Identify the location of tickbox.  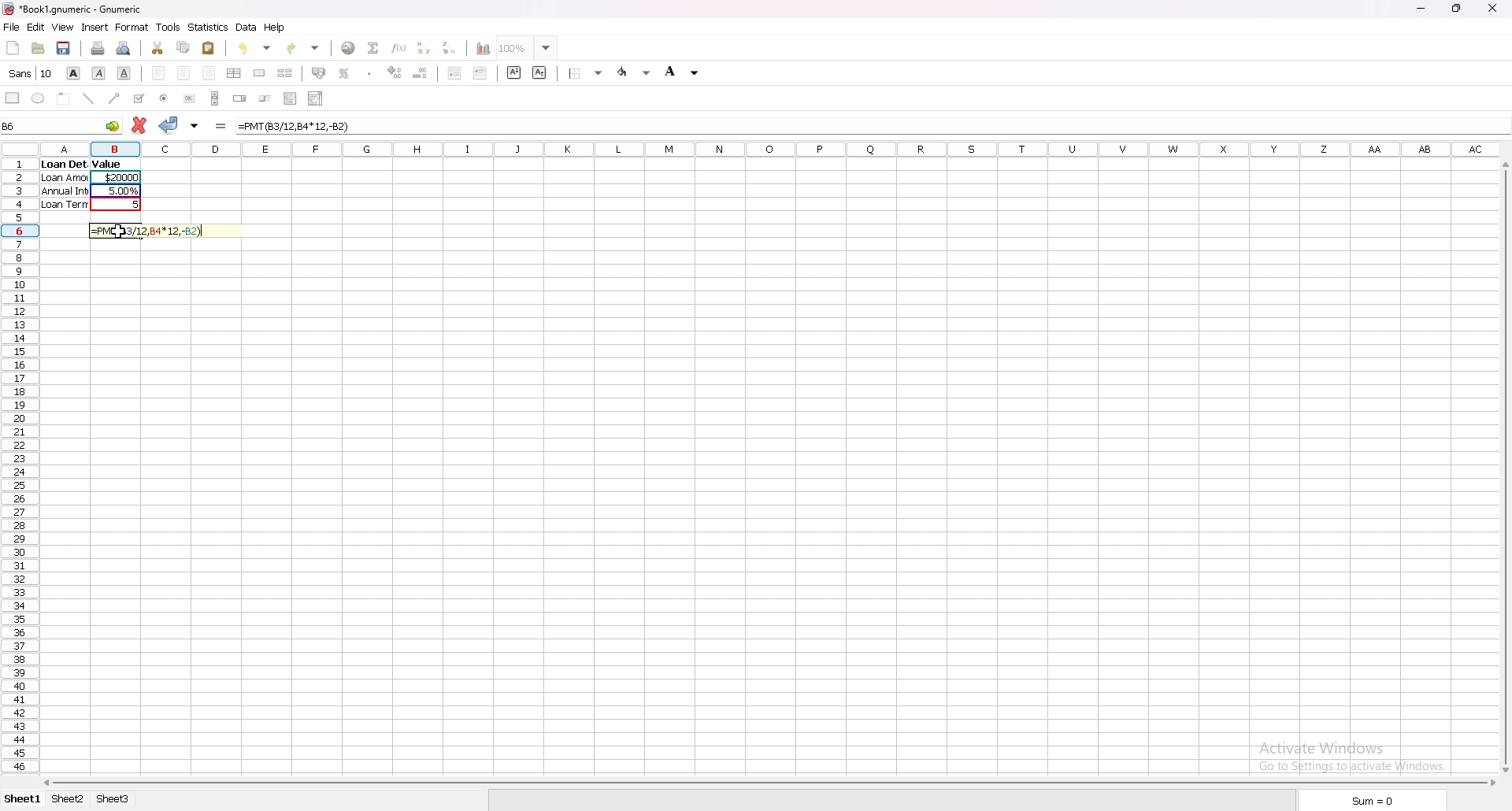
(140, 98).